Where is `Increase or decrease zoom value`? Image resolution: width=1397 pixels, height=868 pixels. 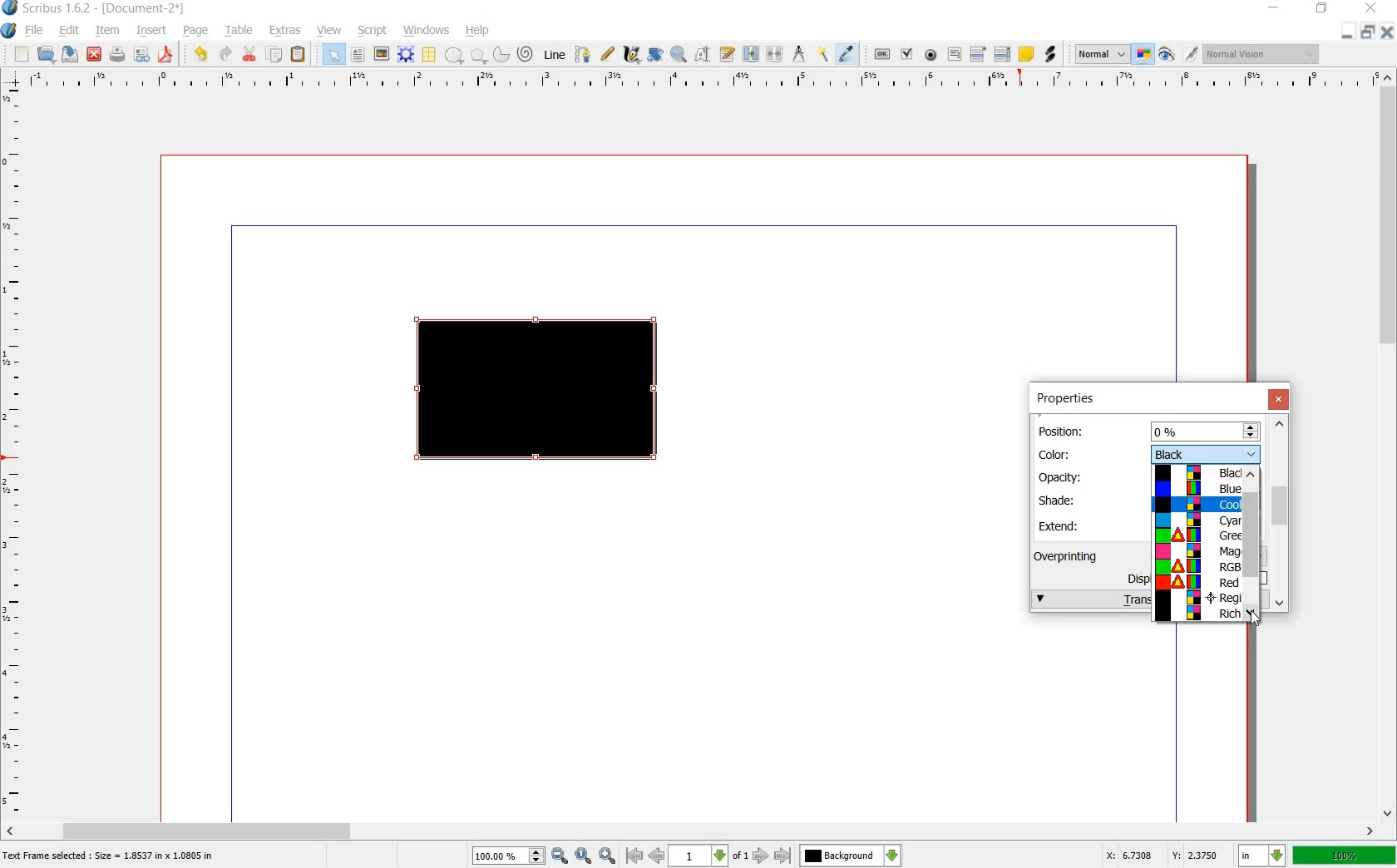 Increase or decrease zoom value is located at coordinates (537, 856).